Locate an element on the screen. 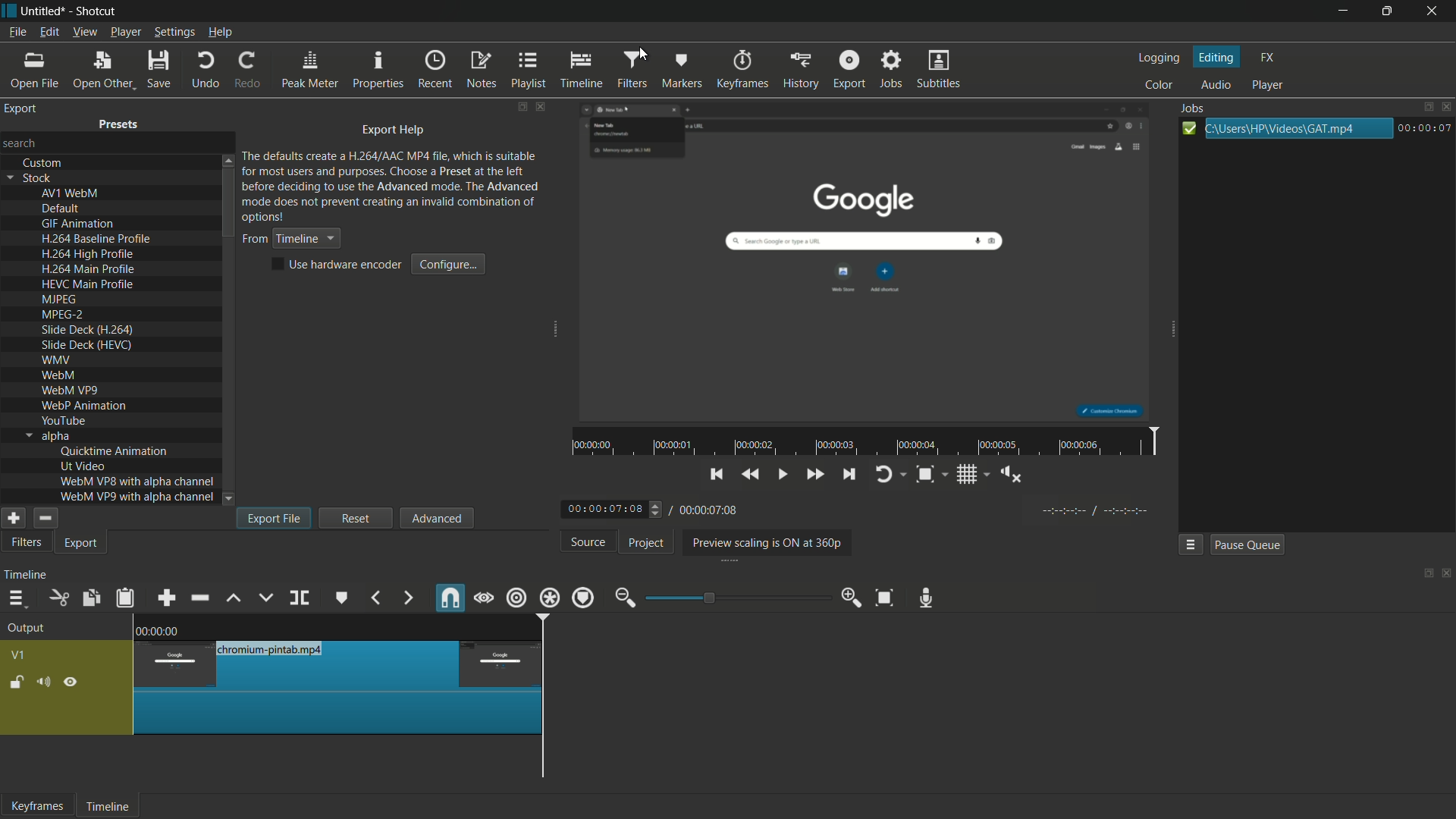 This screenshot has height=819, width=1456. toggle play or pause is located at coordinates (780, 473).